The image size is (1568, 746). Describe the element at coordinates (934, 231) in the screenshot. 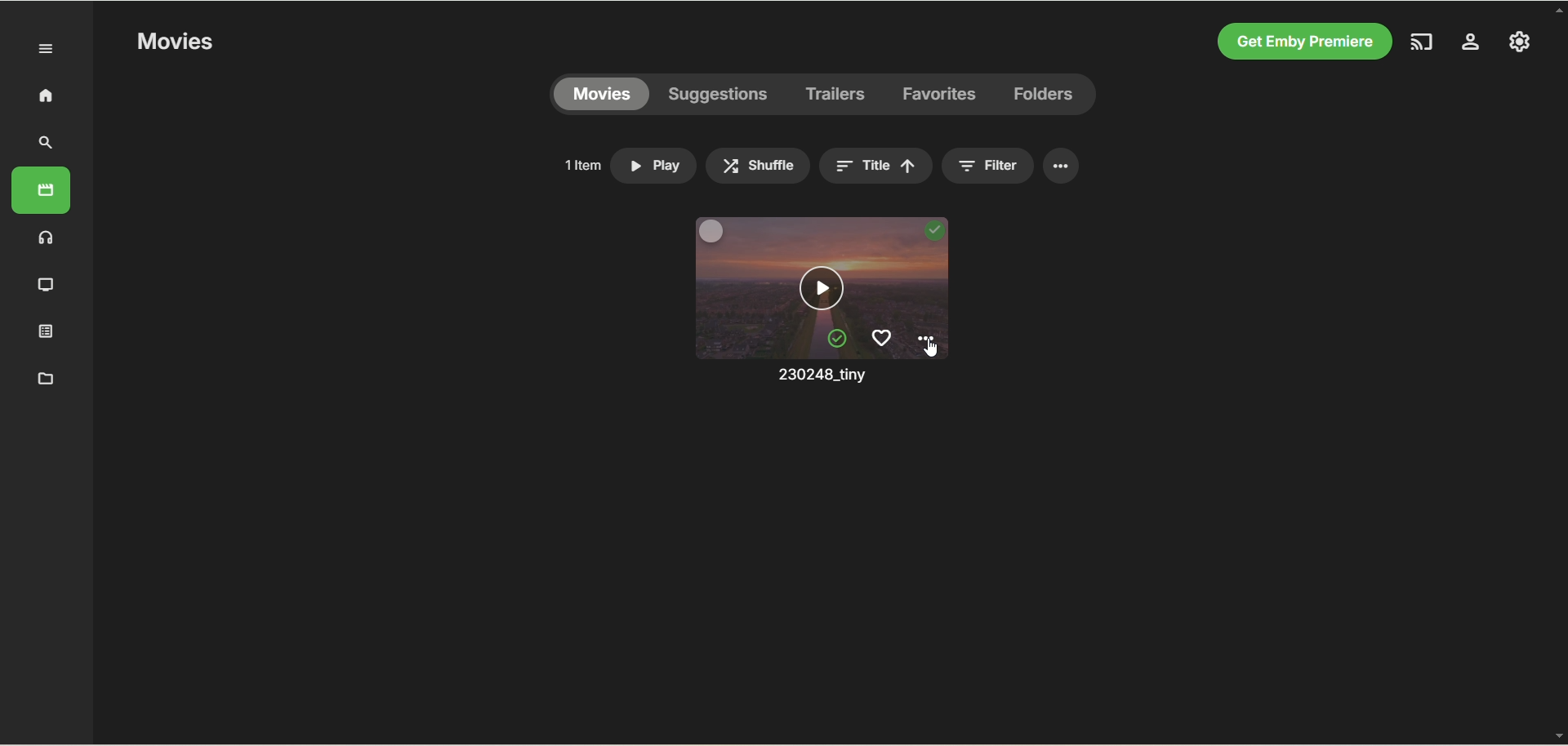

I see `played` at that location.